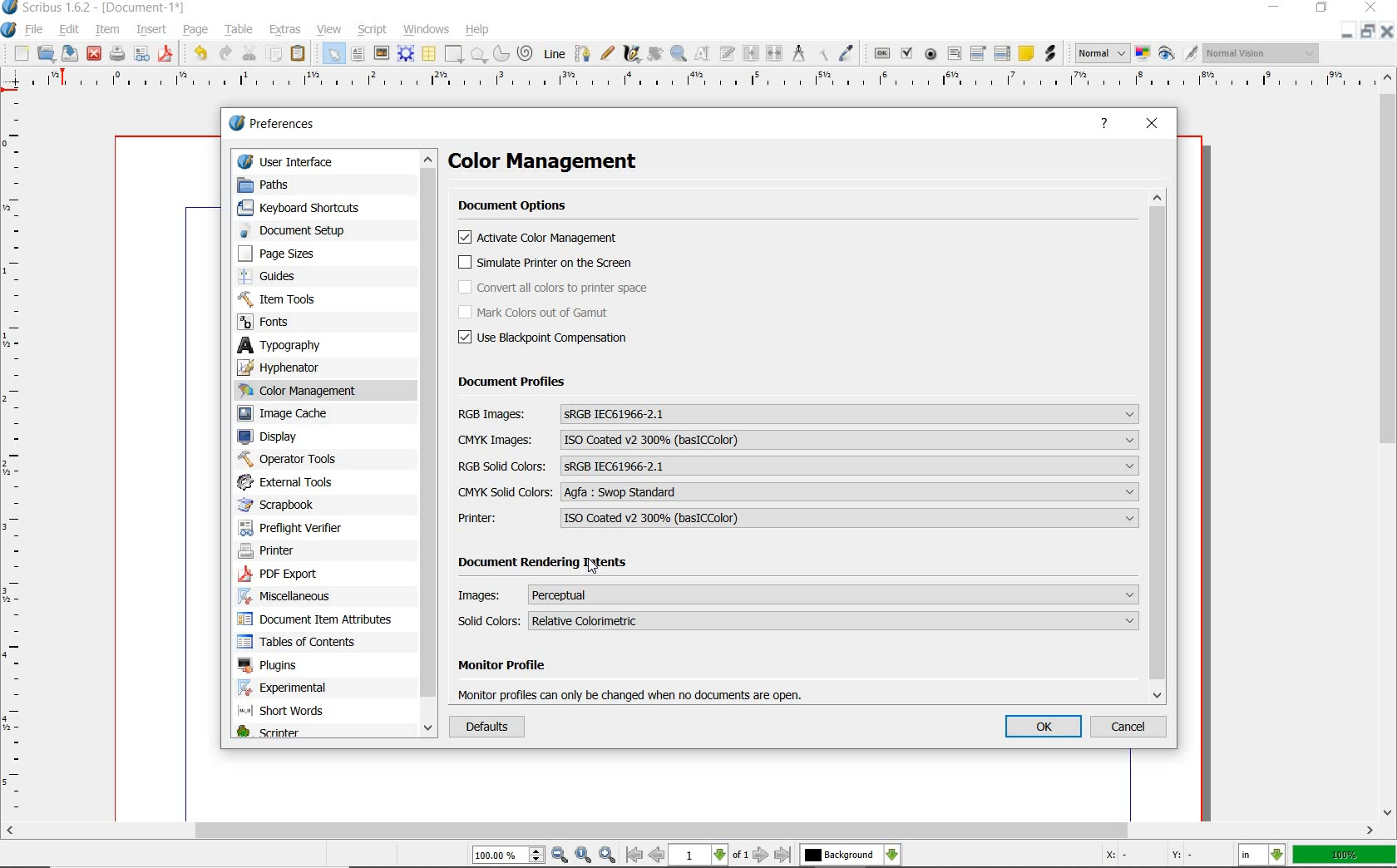 The height and width of the screenshot is (868, 1397). Describe the element at coordinates (330, 28) in the screenshot. I see `view` at that location.